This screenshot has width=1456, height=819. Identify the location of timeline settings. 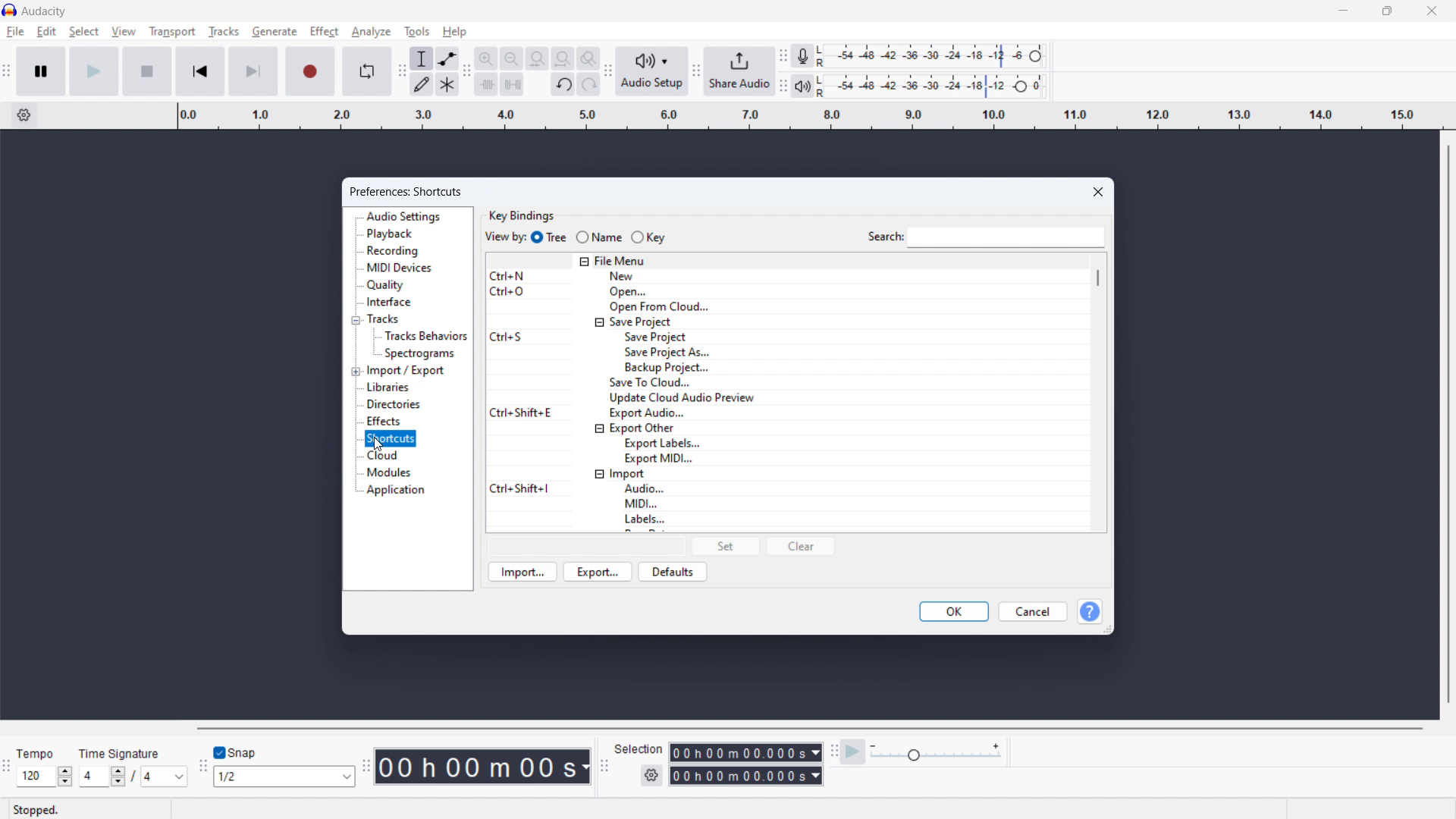
(23, 116).